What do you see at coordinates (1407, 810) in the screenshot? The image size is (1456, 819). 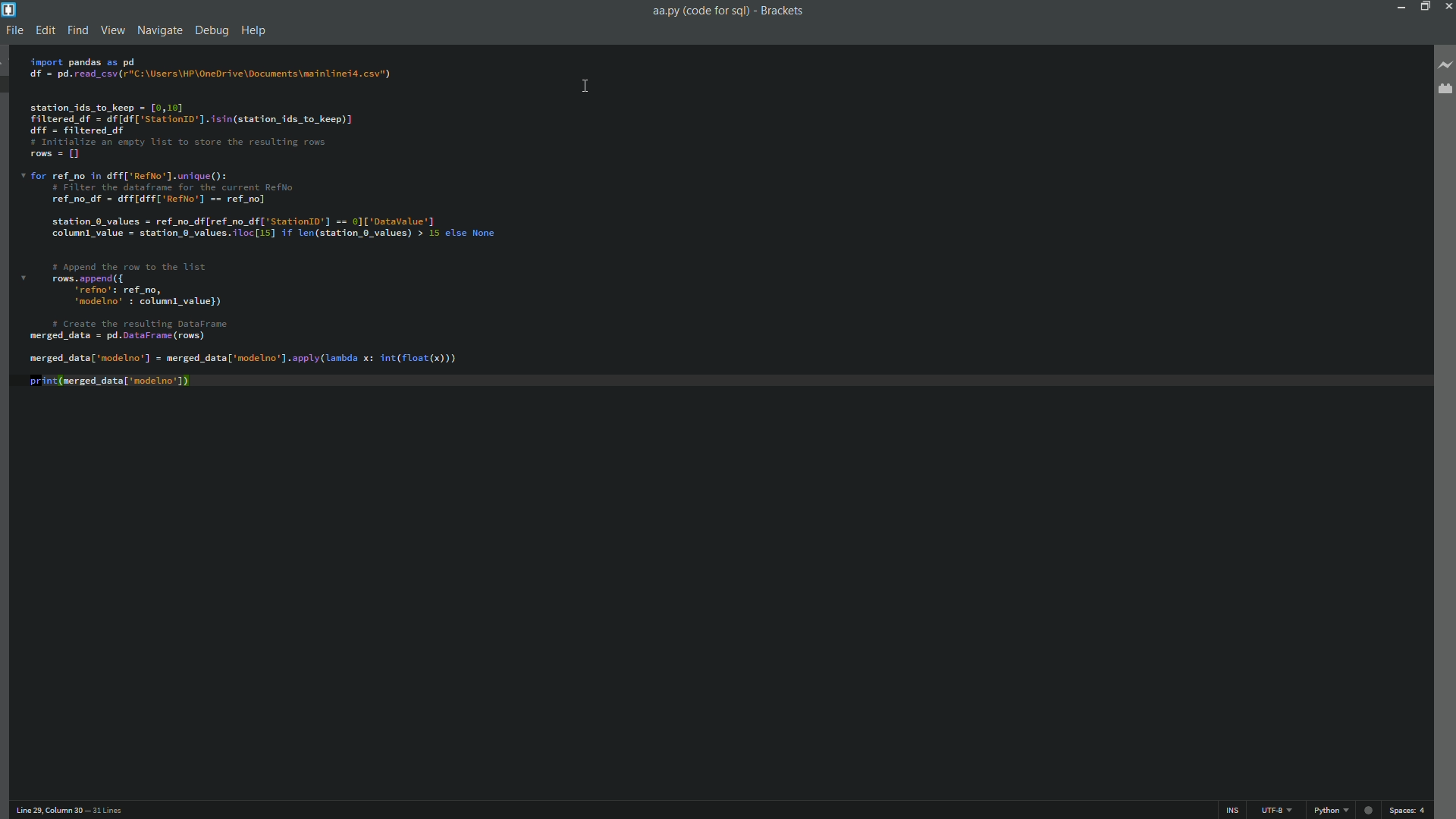 I see `space button` at bounding box center [1407, 810].